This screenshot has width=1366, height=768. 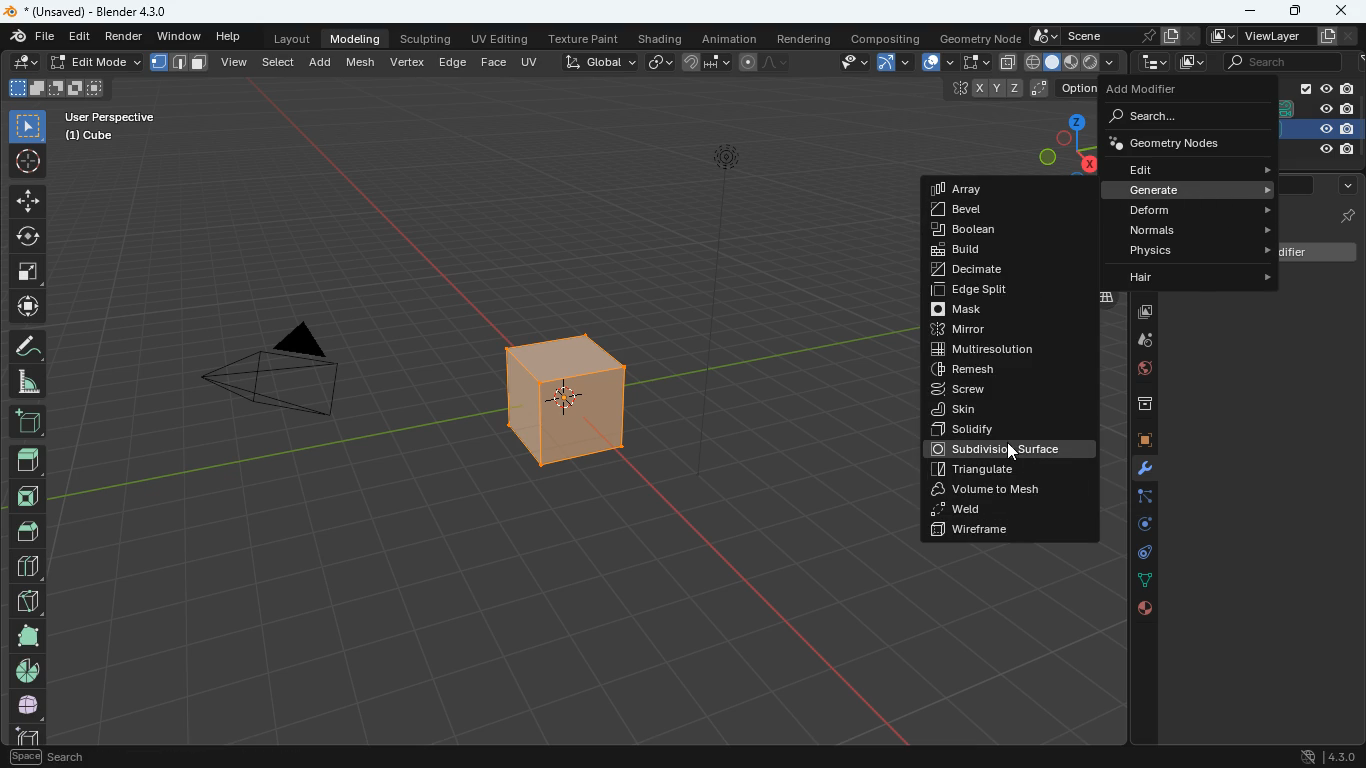 What do you see at coordinates (87, 11) in the screenshot?
I see `blender` at bounding box center [87, 11].